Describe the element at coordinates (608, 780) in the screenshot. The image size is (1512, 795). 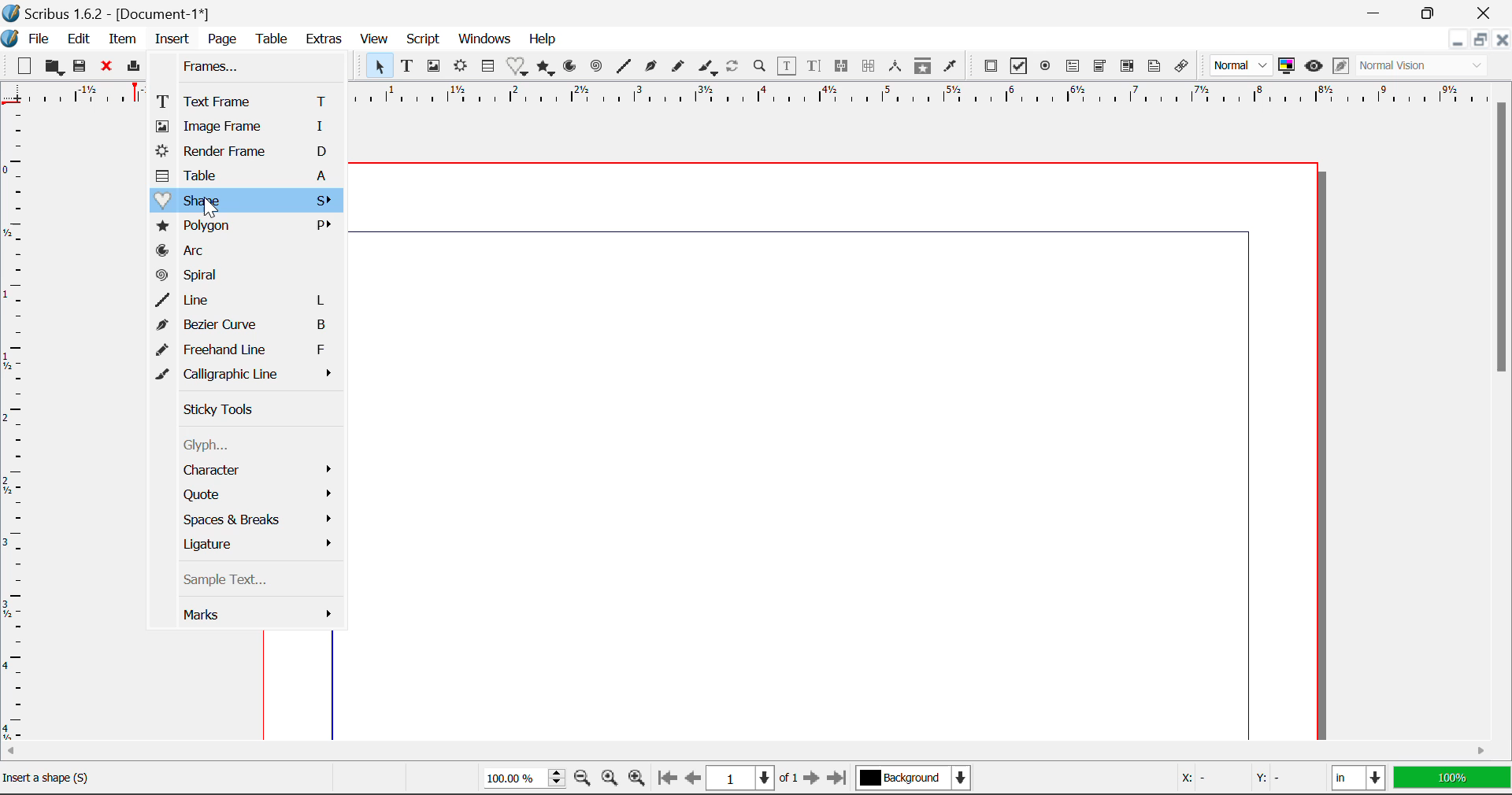
I see `Zoom to 100%` at that location.